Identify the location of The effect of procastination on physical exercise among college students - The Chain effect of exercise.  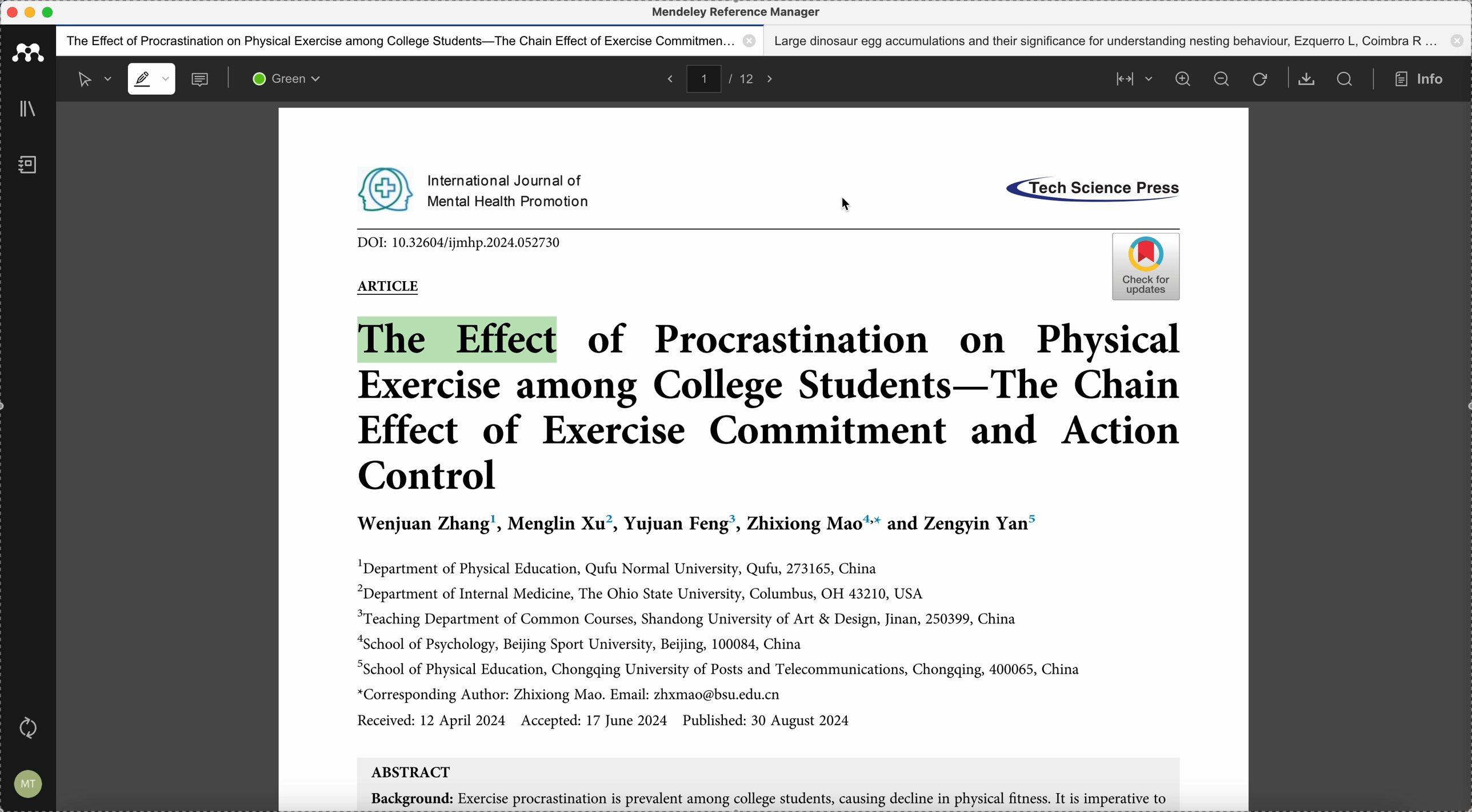
(410, 41).